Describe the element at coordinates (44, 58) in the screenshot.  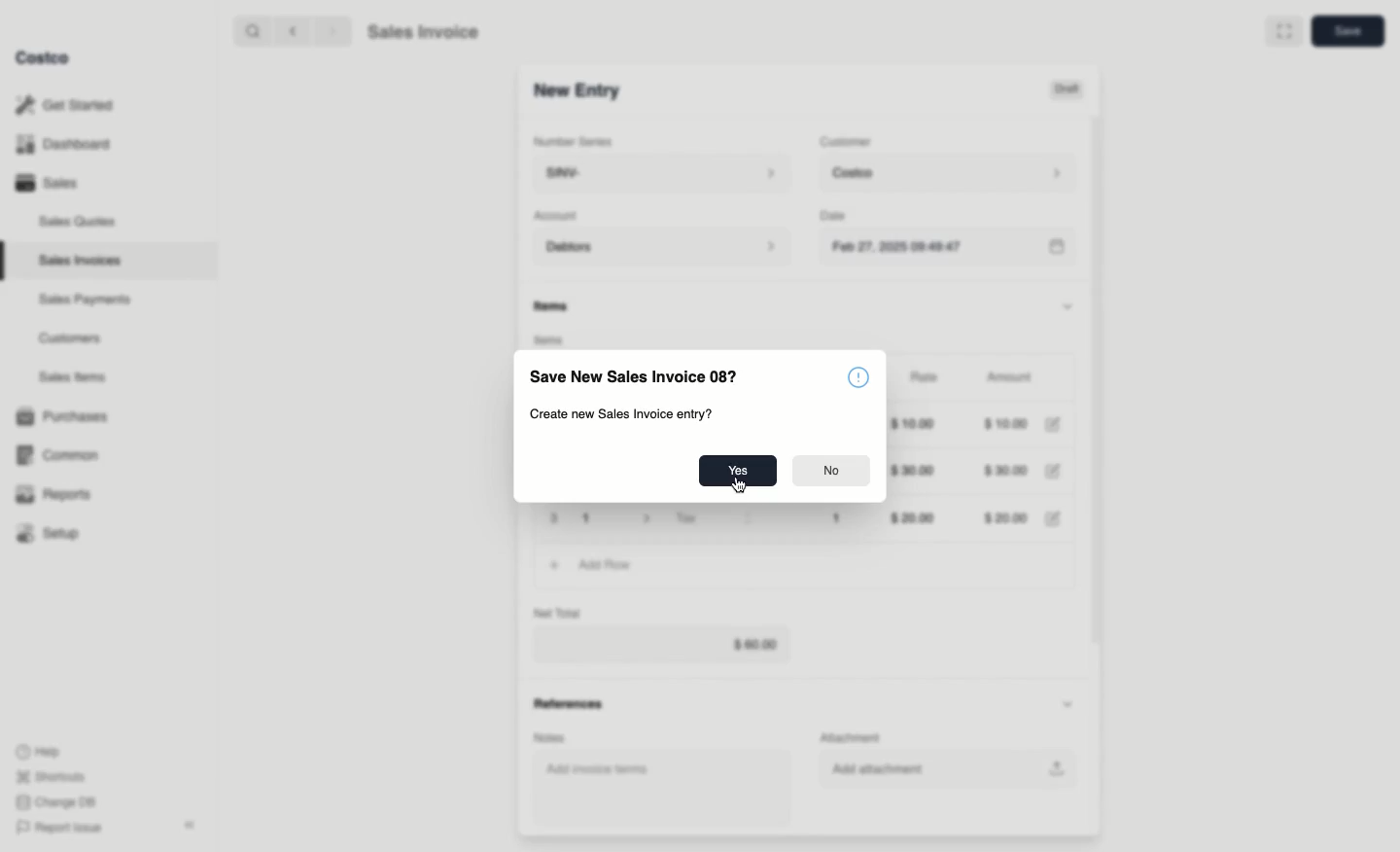
I see `Costco` at that location.